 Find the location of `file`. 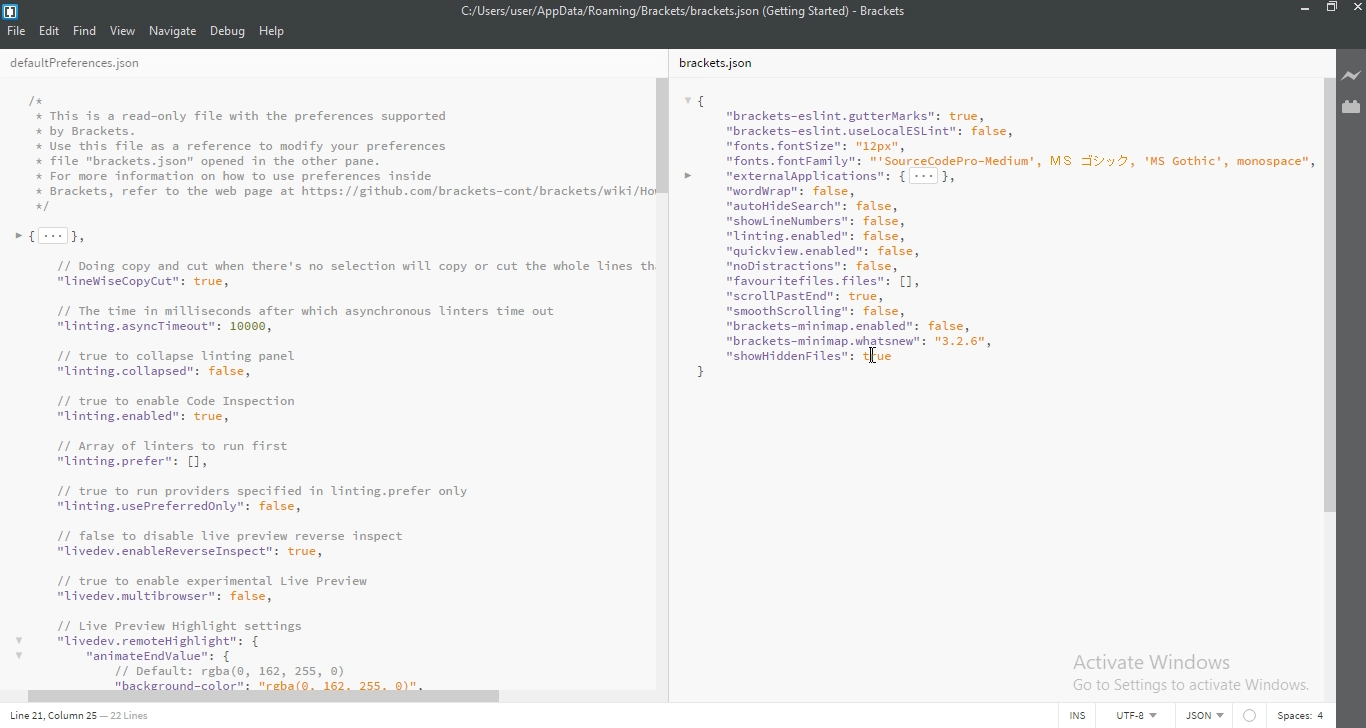

file is located at coordinates (15, 31).